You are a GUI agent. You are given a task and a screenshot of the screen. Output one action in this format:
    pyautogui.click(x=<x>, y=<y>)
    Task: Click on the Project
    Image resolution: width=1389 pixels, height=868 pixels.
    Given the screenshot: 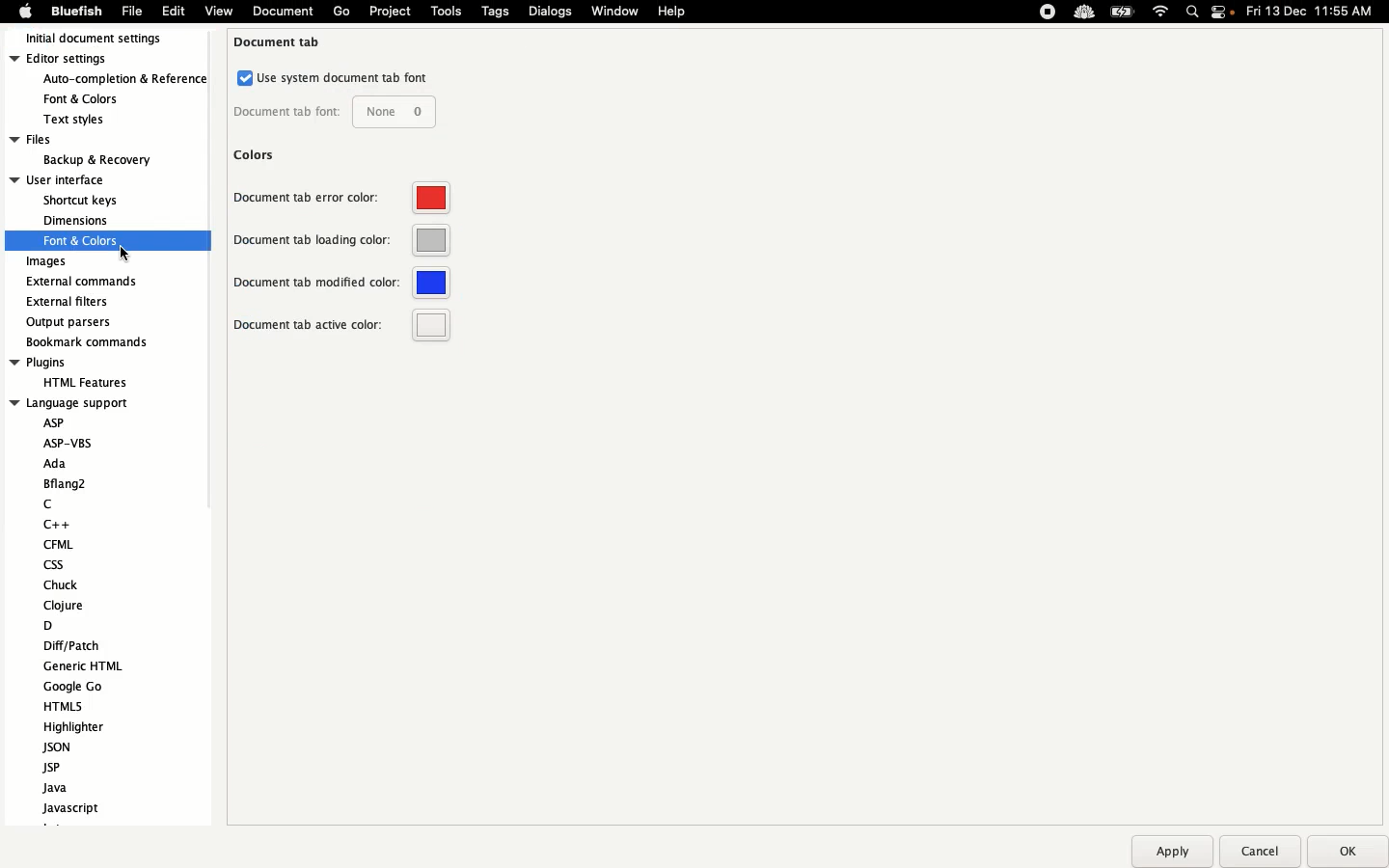 What is the action you would take?
    pyautogui.click(x=389, y=12)
    